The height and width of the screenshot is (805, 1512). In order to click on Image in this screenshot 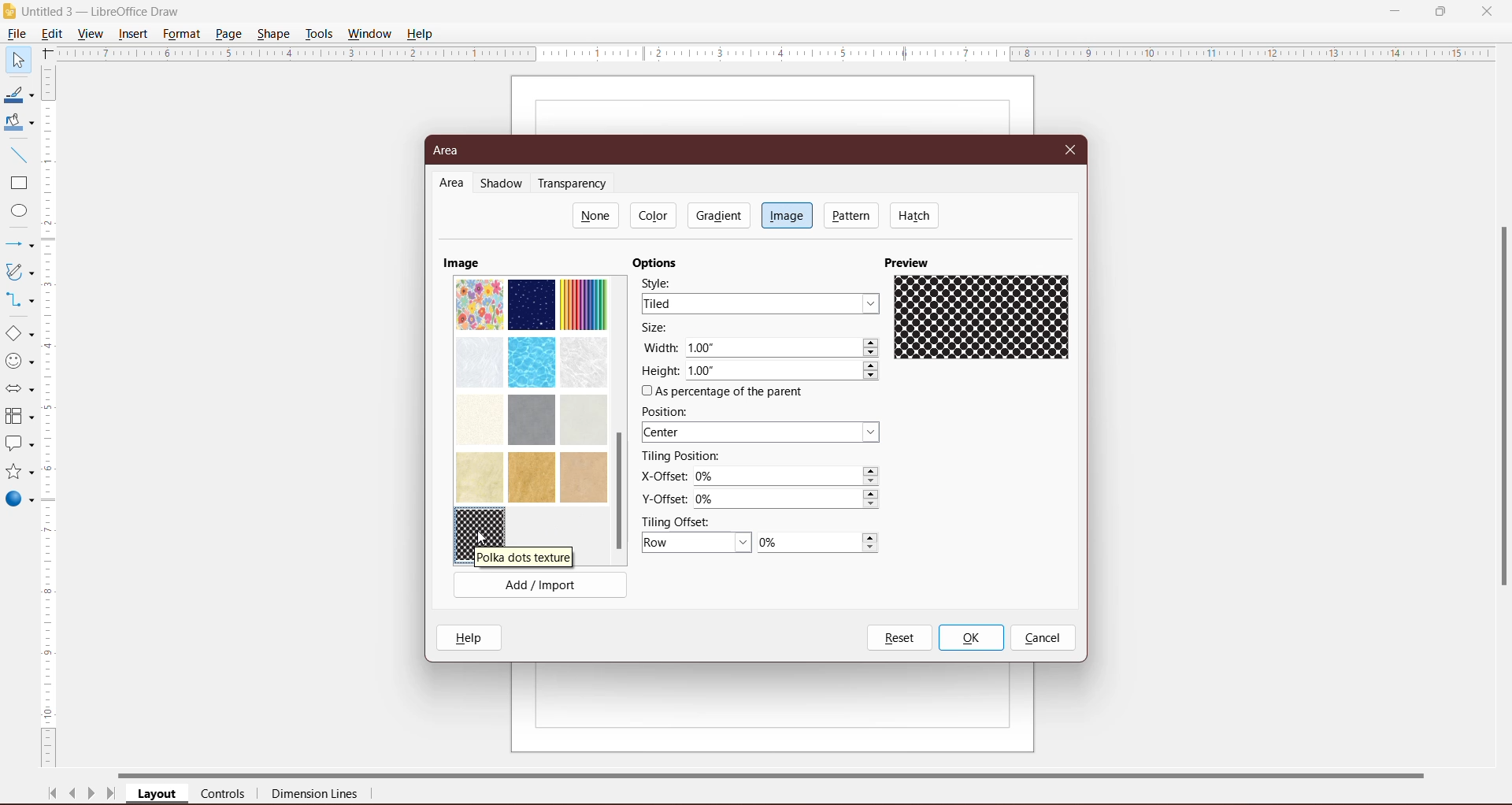, I will do `click(787, 214)`.